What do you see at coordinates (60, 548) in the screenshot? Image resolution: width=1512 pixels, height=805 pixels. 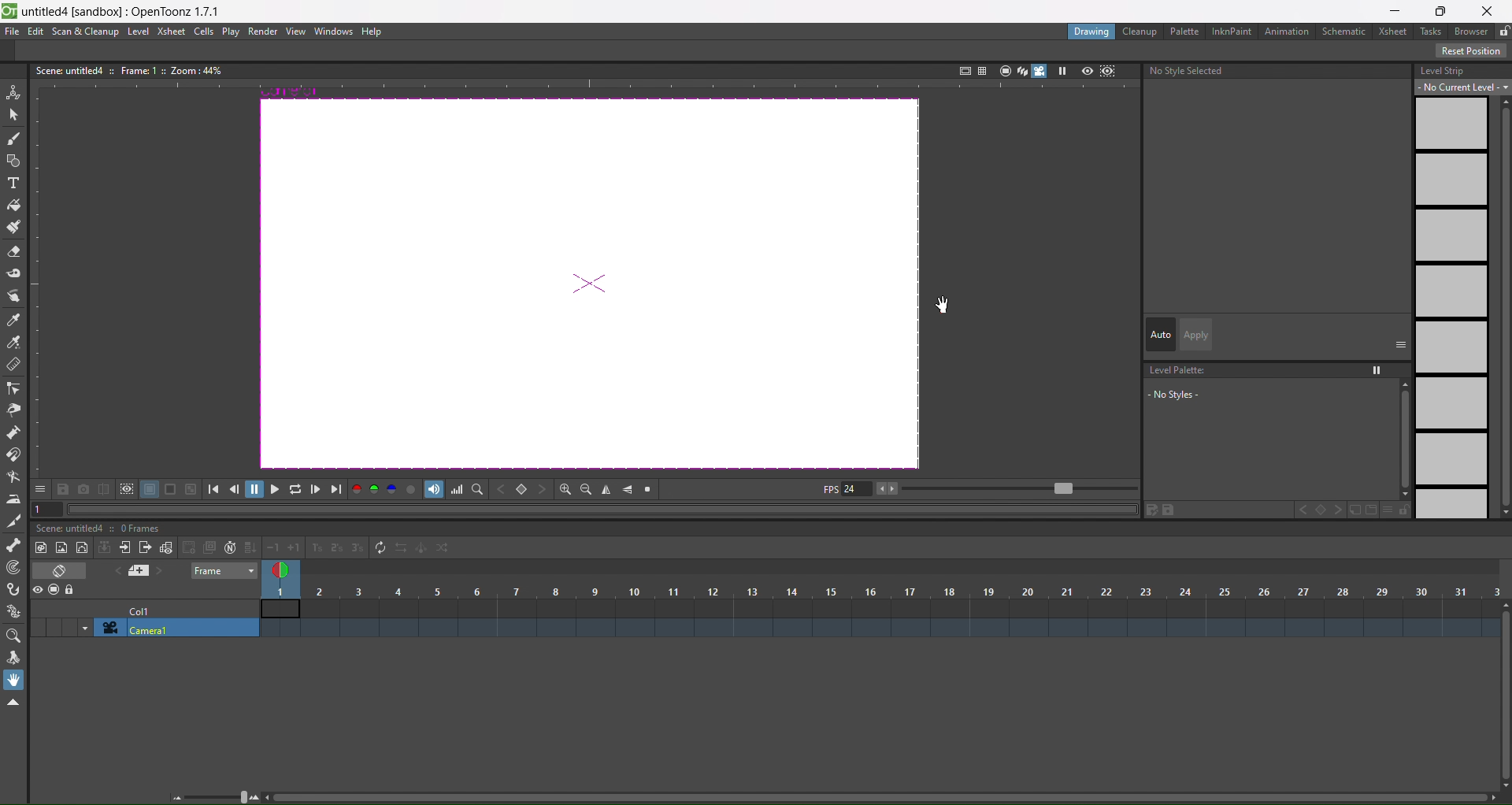 I see `ew raster level` at bounding box center [60, 548].